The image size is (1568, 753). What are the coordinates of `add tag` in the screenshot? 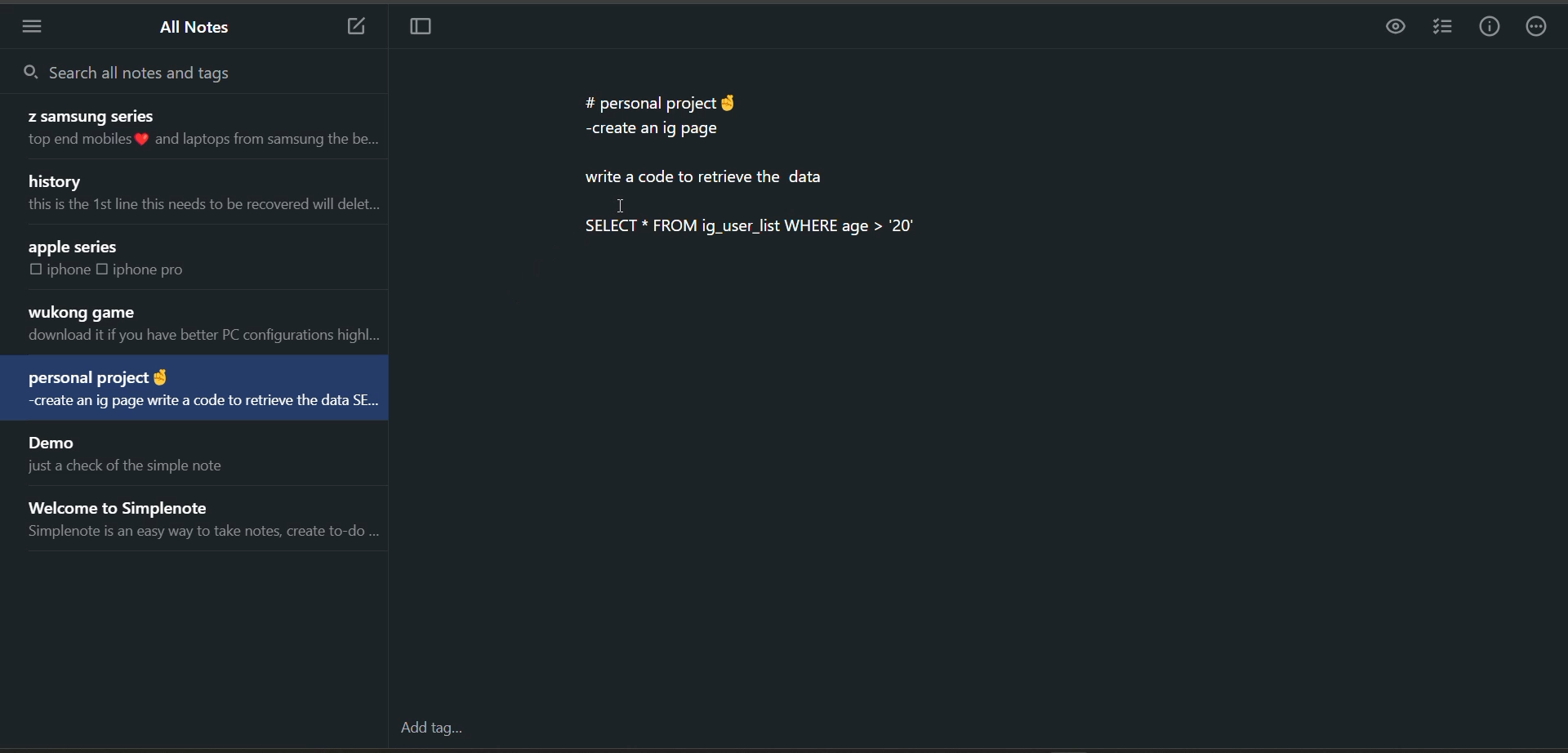 It's located at (429, 730).